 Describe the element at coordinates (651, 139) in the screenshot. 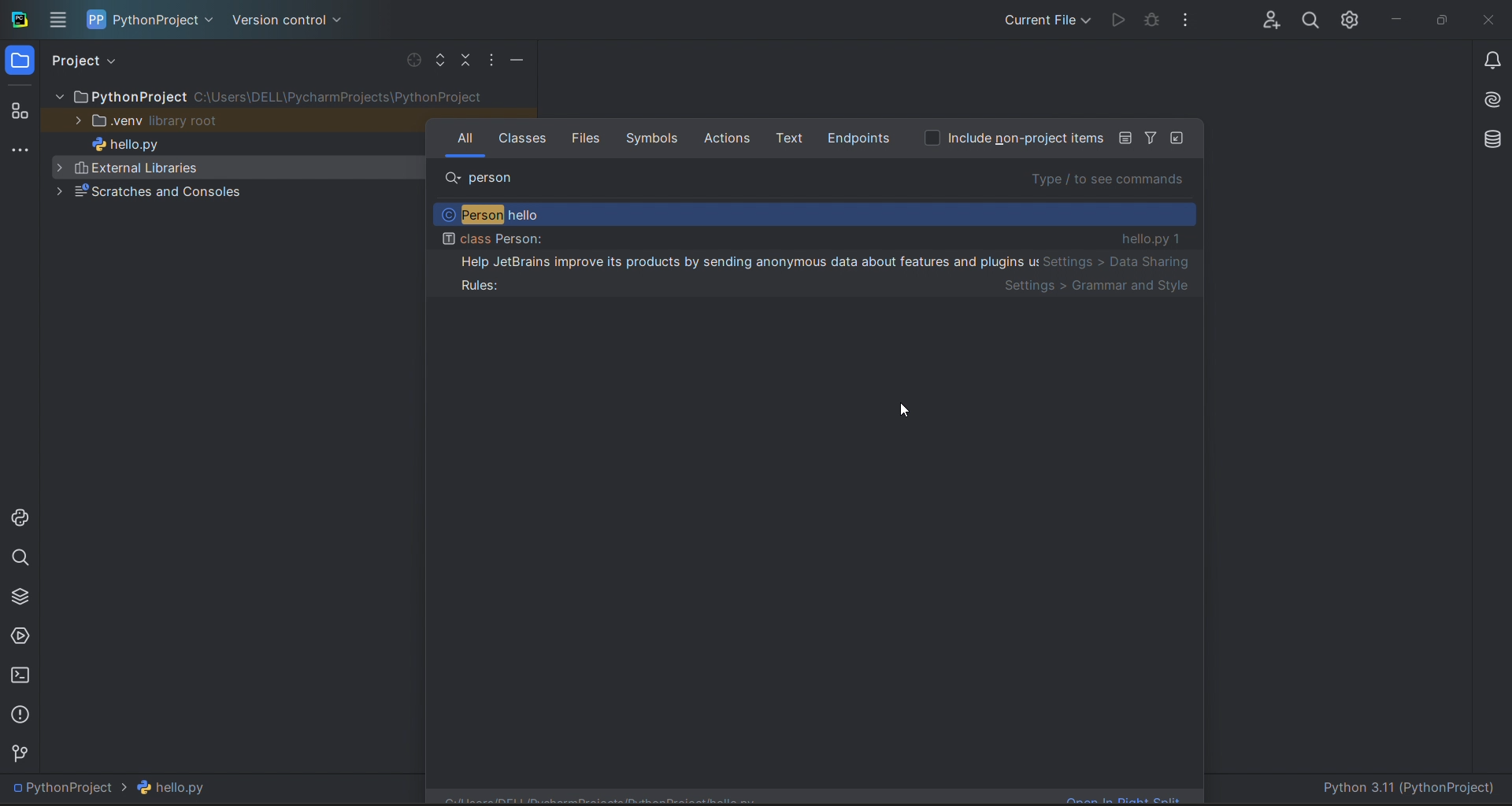

I see `symbols` at that location.